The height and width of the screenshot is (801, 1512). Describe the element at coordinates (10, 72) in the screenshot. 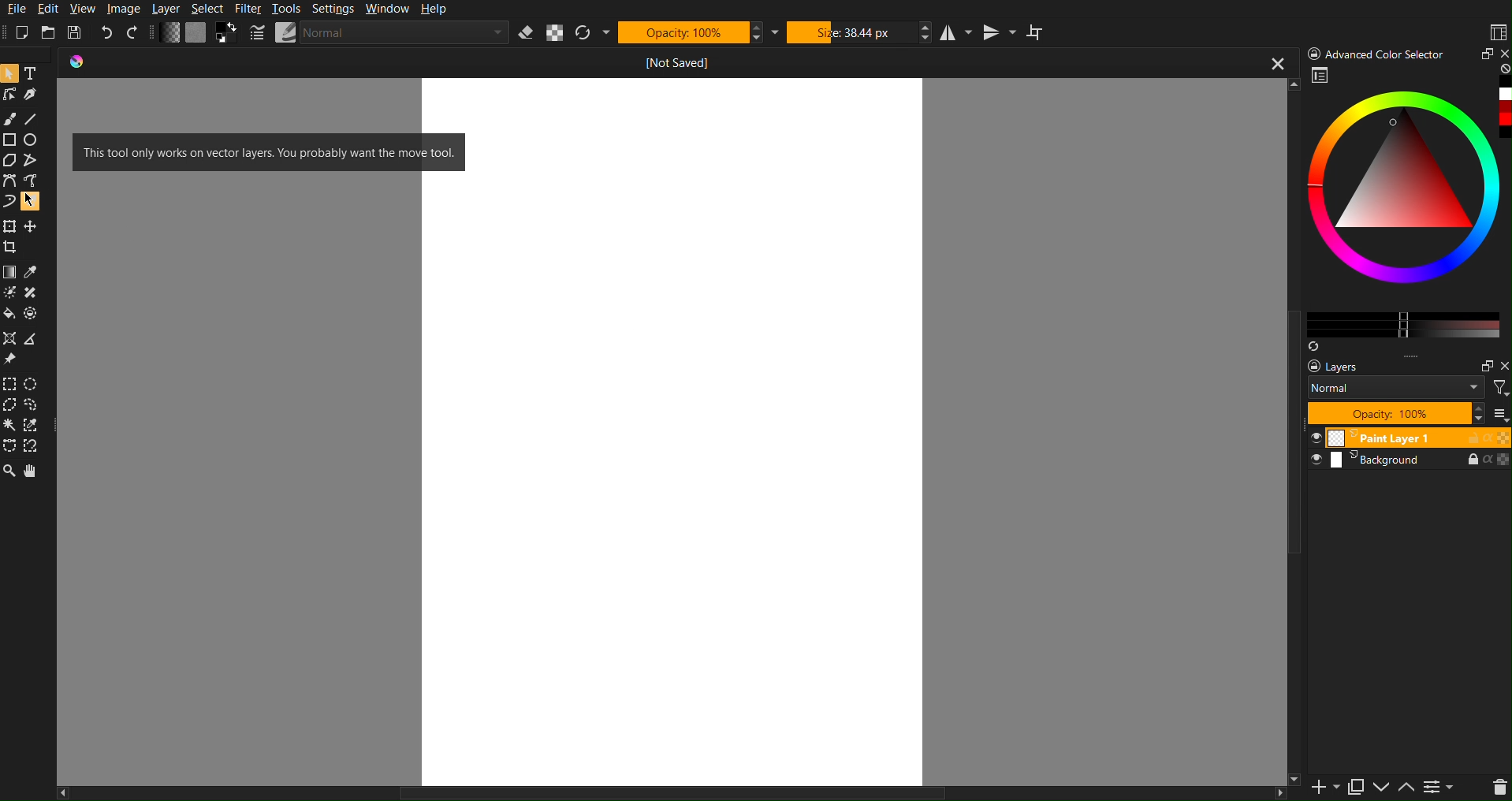

I see `Pointer` at that location.